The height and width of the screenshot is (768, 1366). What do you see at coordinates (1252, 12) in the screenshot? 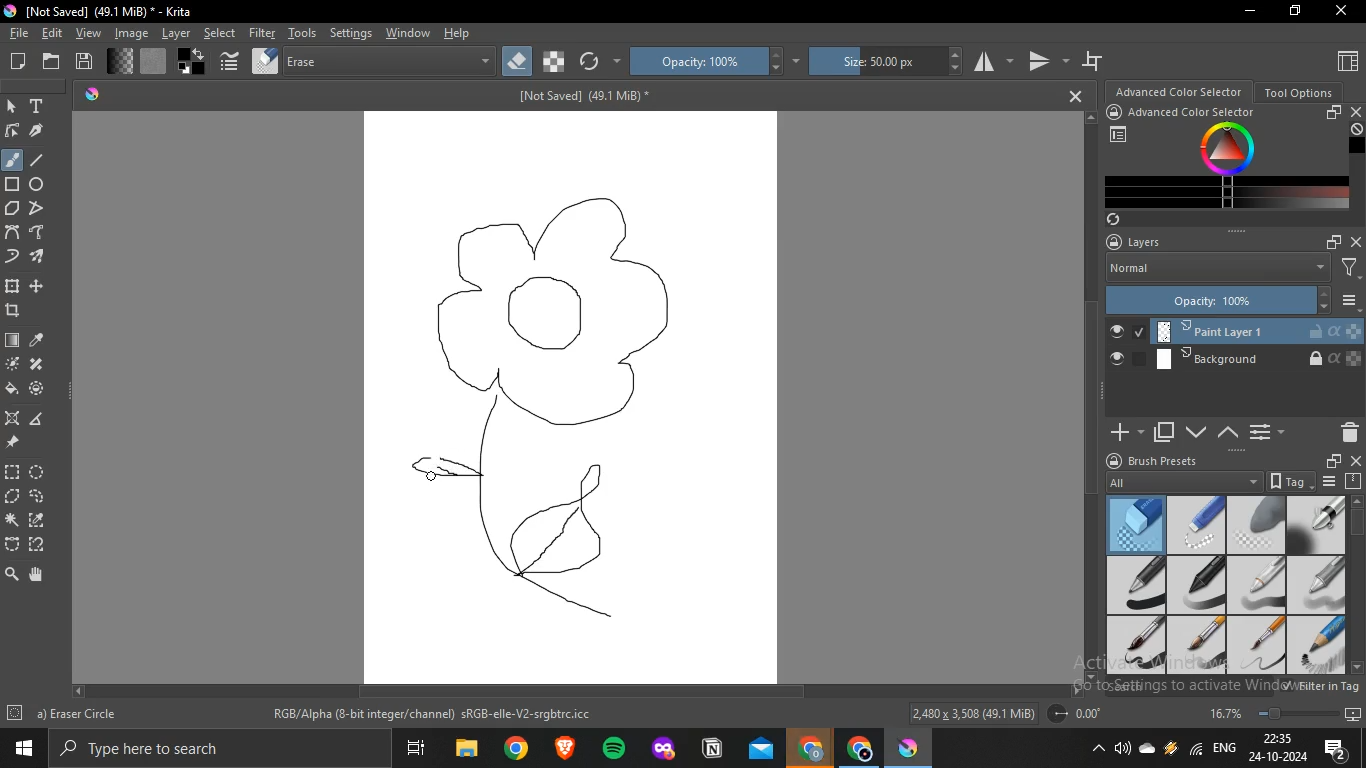
I see `Minimize` at bounding box center [1252, 12].